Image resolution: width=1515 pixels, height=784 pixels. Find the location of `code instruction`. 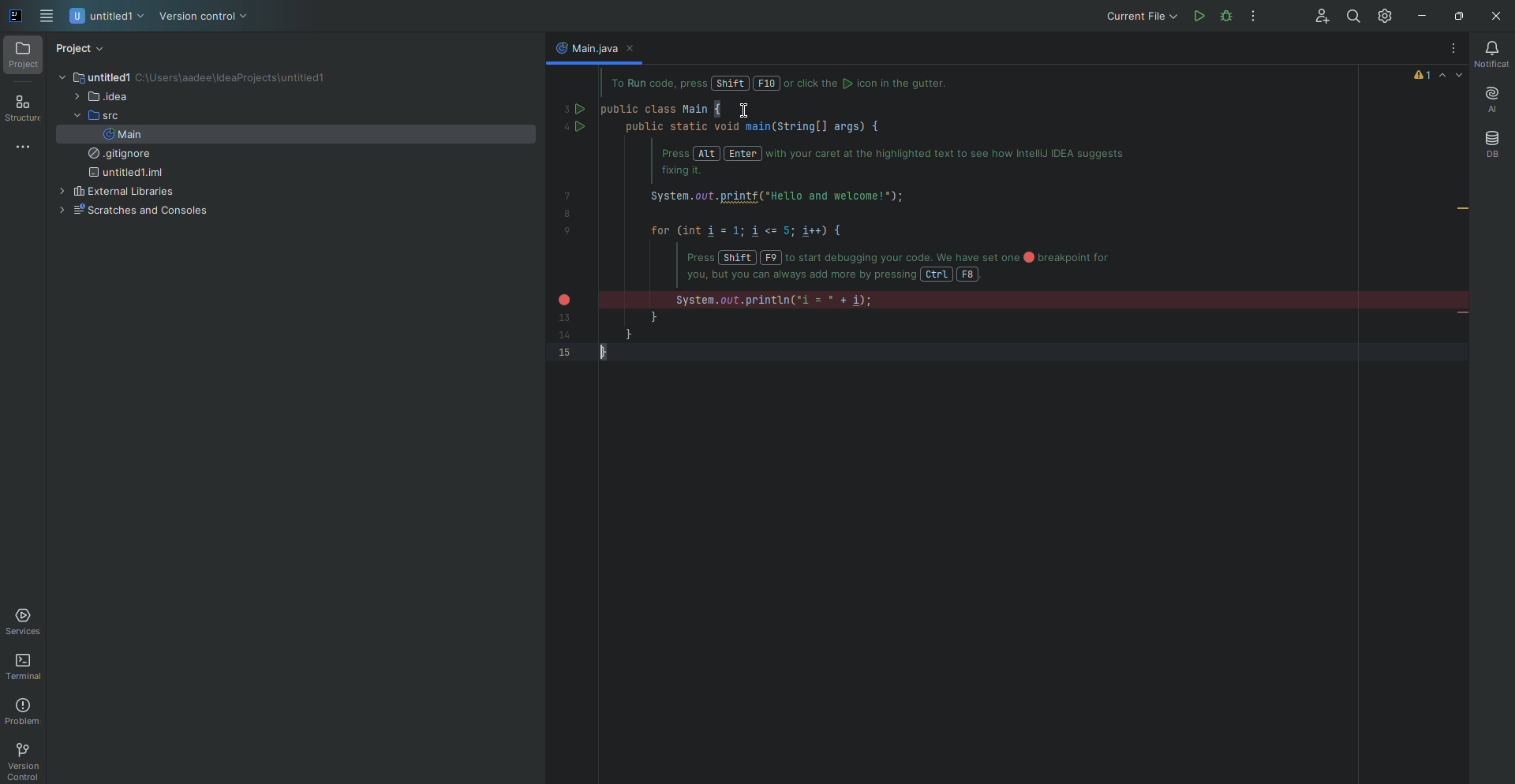

code instruction is located at coordinates (791, 84).